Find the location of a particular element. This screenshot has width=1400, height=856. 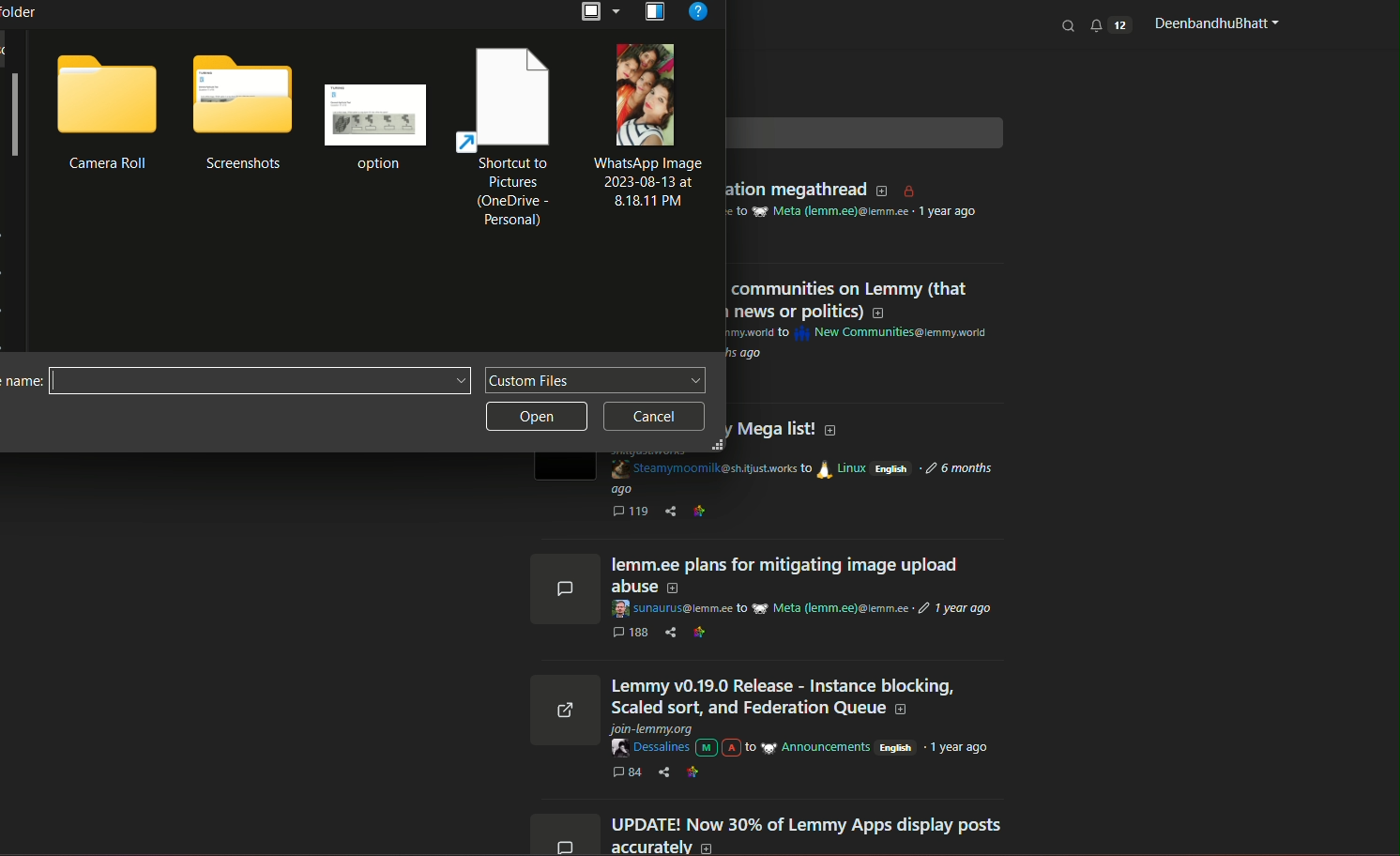

Sidebar is located at coordinates (14, 118).